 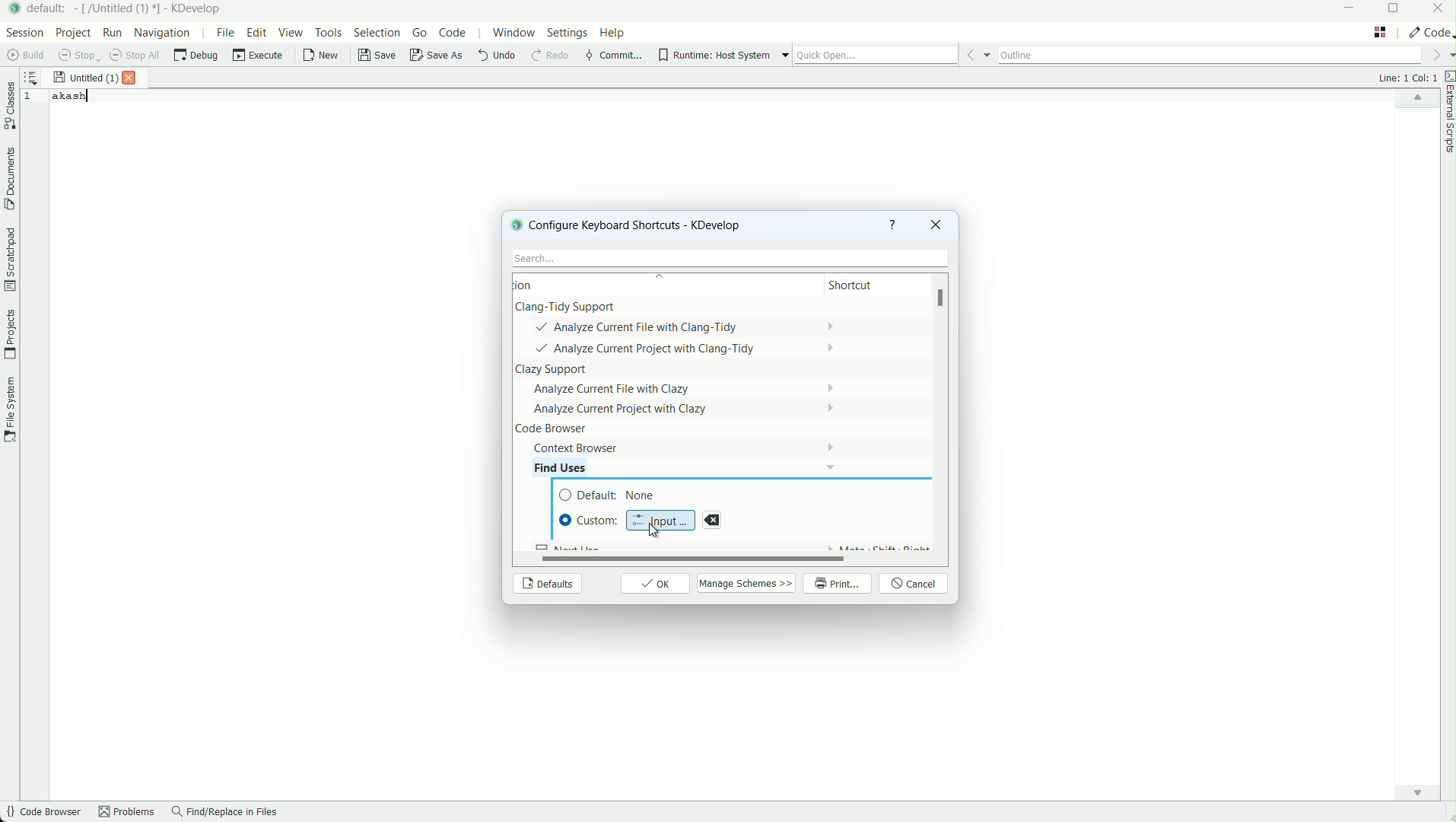 What do you see at coordinates (259, 56) in the screenshot?
I see `execute` at bounding box center [259, 56].